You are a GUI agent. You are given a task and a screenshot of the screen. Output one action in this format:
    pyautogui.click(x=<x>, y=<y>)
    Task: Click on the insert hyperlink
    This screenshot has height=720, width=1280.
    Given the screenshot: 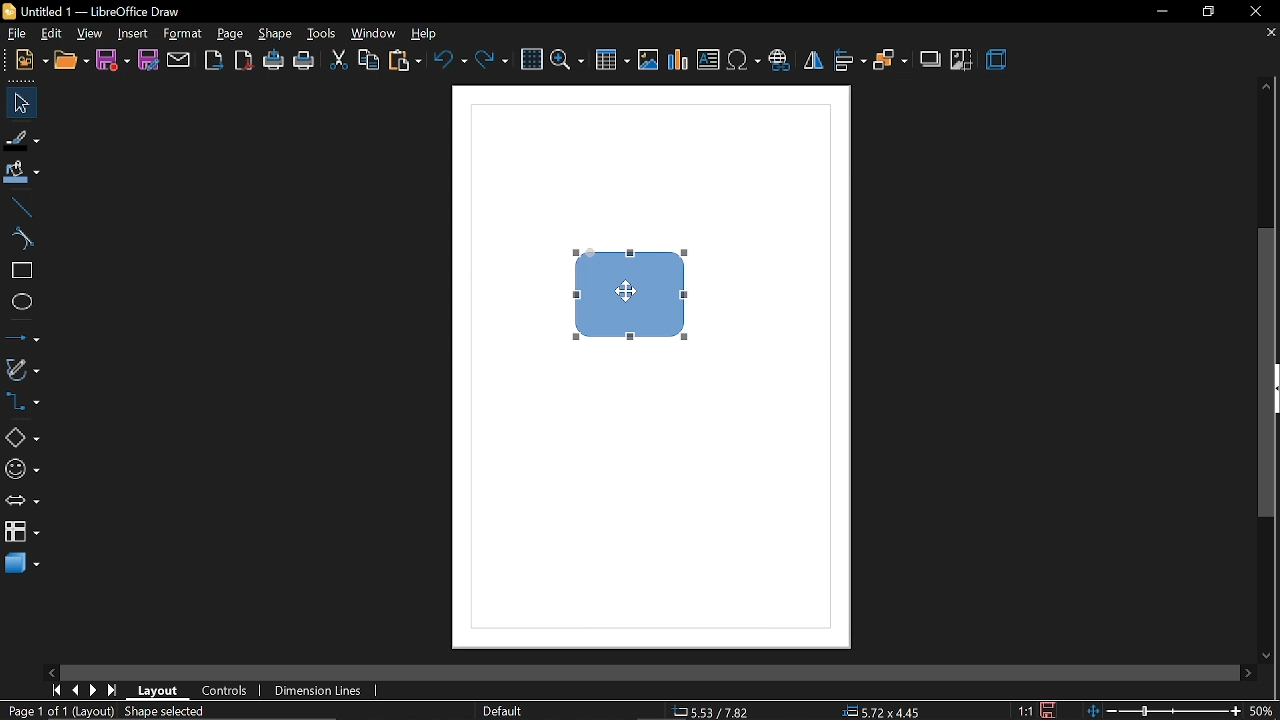 What is the action you would take?
    pyautogui.click(x=780, y=62)
    